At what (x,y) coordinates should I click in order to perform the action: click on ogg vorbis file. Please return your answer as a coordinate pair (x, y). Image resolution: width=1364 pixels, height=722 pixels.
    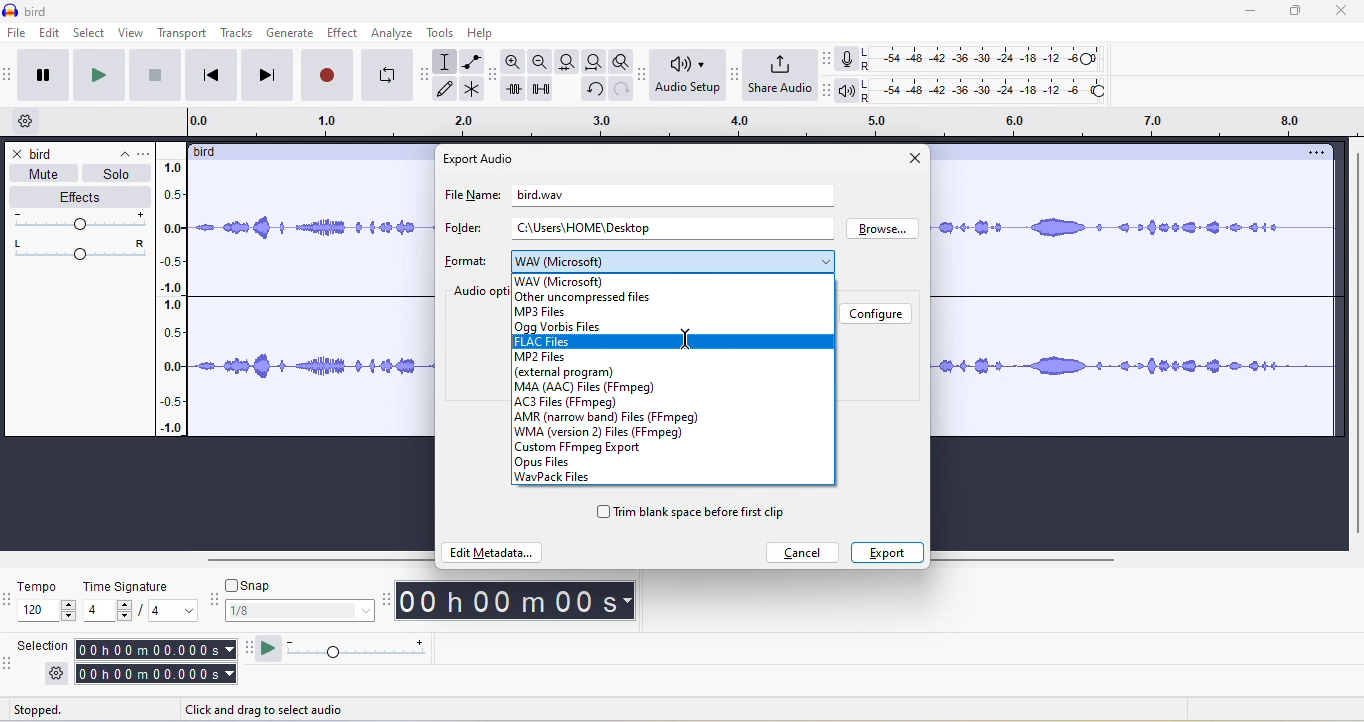
    Looking at the image, I should click on (559, 326).